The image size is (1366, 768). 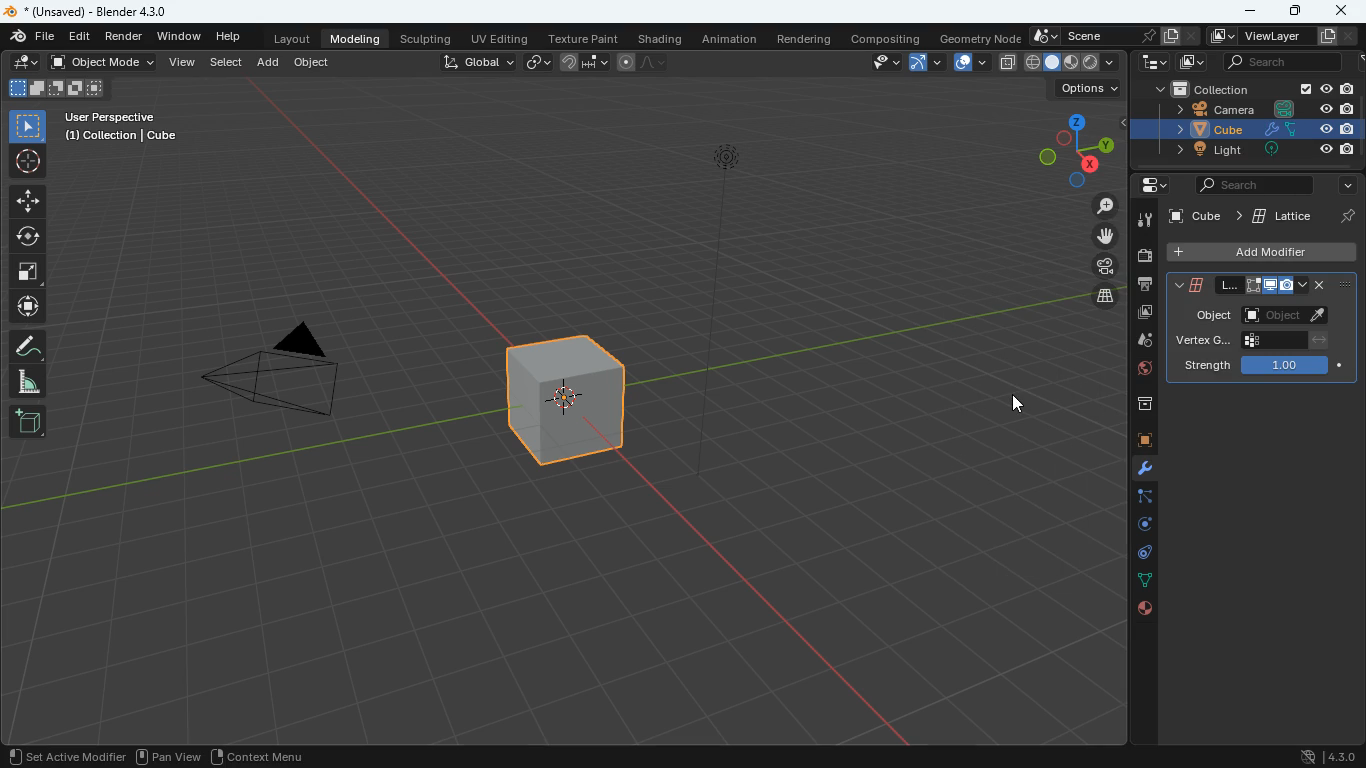 What do you see at coordinates (1272, 184) in the screenshot?
I see `search` at bounding box center [1272, 184].